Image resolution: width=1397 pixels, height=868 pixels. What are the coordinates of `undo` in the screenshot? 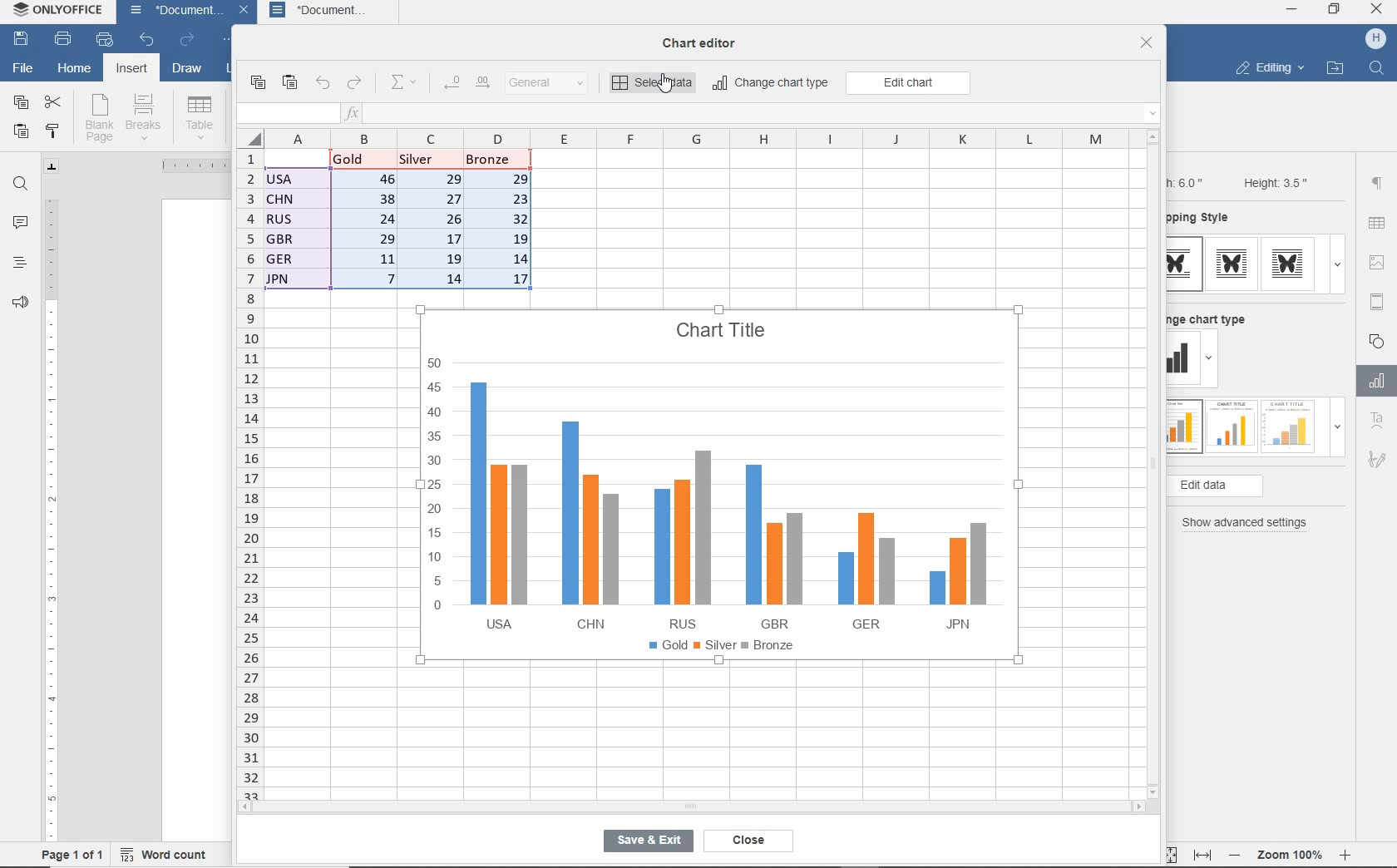 It's located at (146, 41).